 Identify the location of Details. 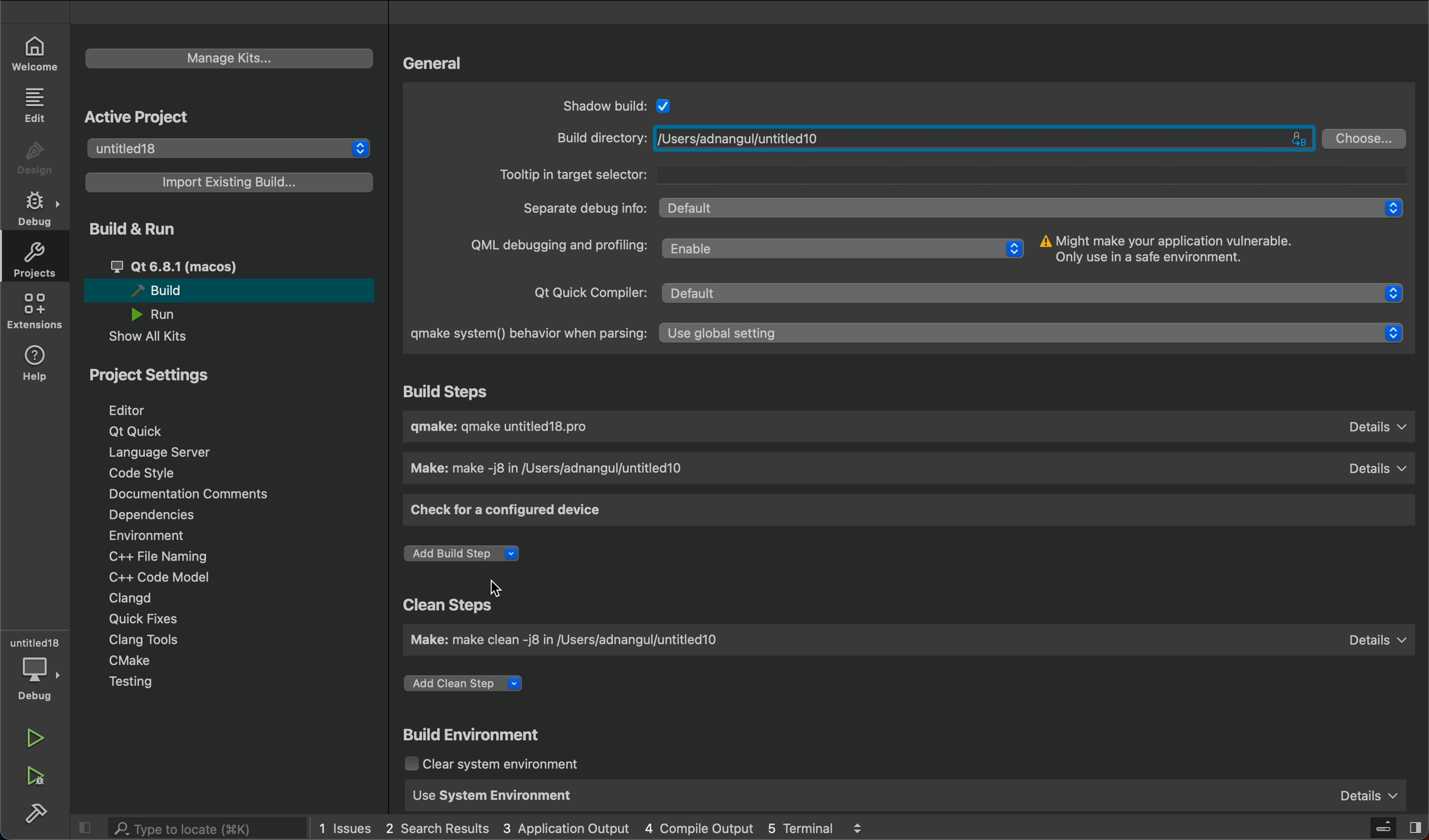
(1372, 795).